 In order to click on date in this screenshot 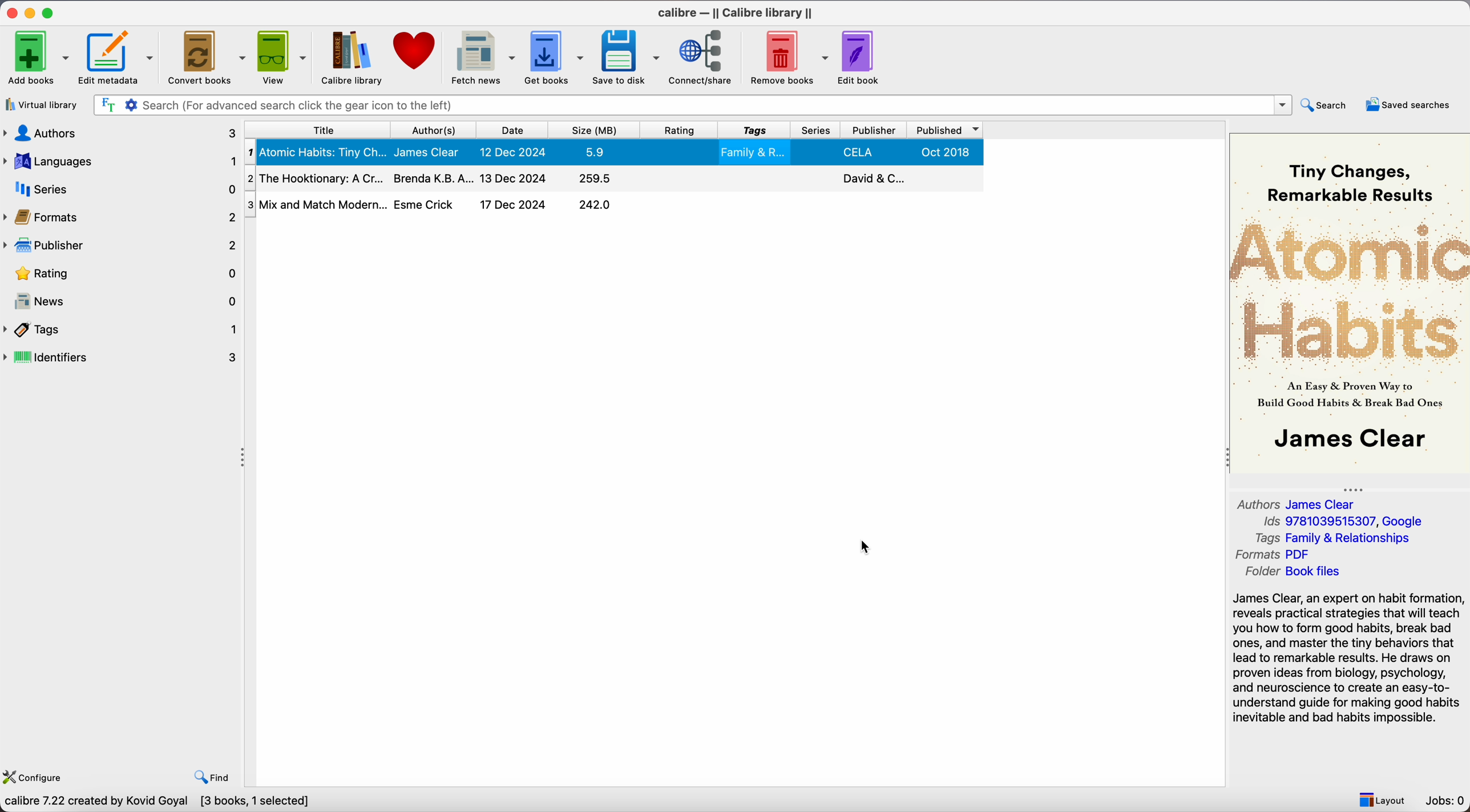, I will do `click(516, 130)`.